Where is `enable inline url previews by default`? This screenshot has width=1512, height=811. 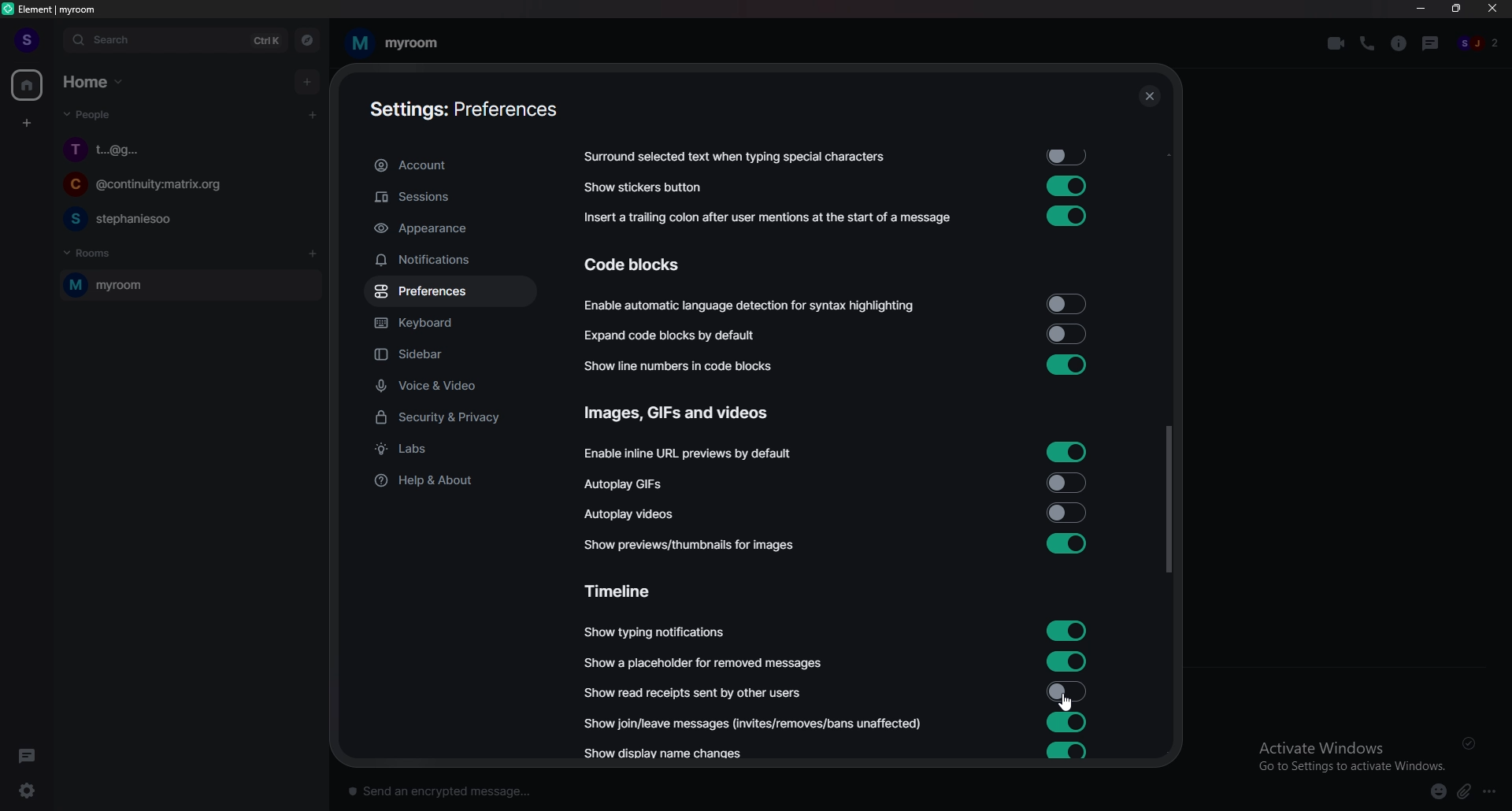 enable inline url previews by default is located at coordinates (691, 454).